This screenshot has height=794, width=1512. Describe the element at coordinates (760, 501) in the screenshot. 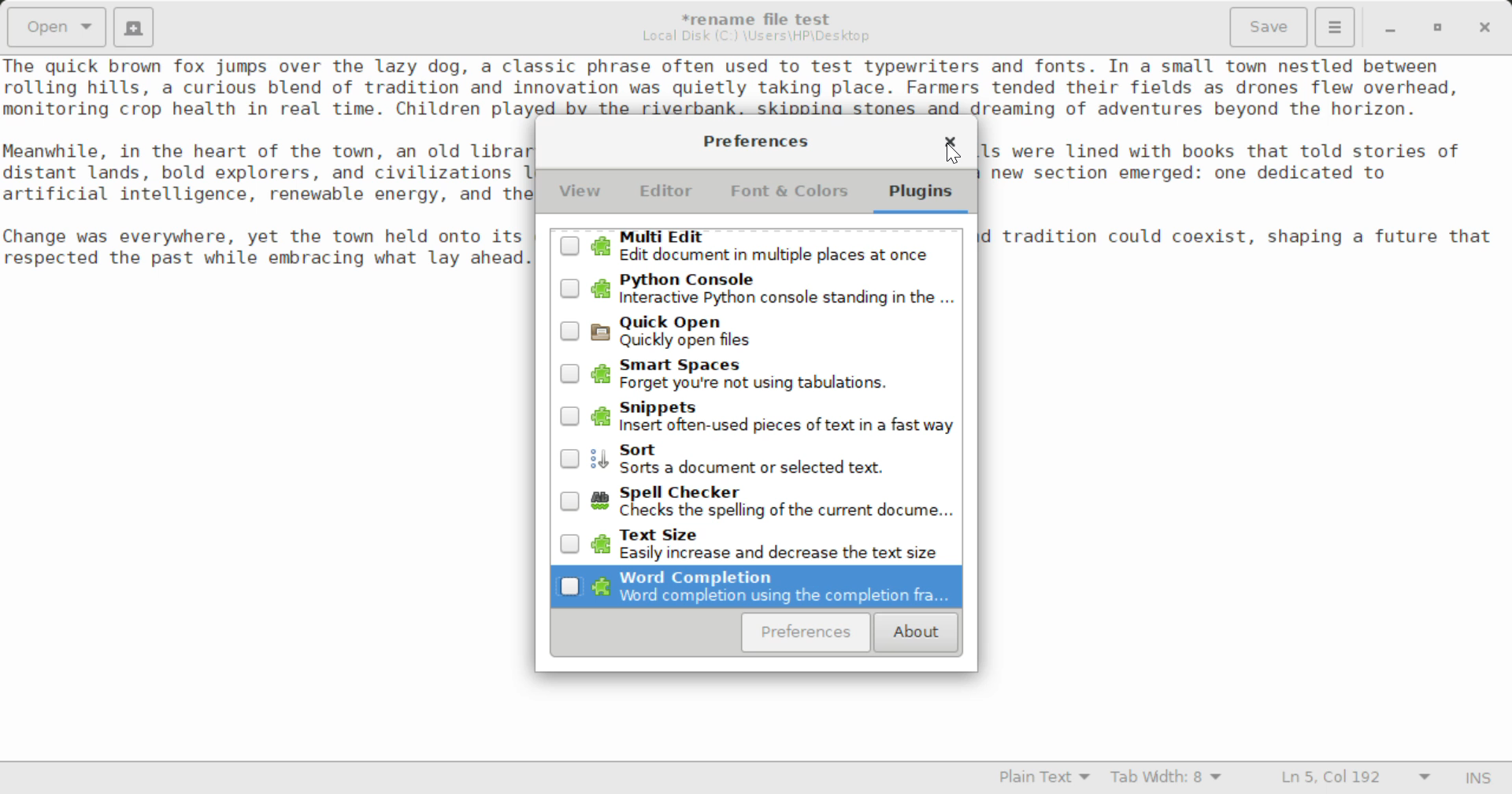

I see `Unselected Spell Checker Plugin ` at that location.